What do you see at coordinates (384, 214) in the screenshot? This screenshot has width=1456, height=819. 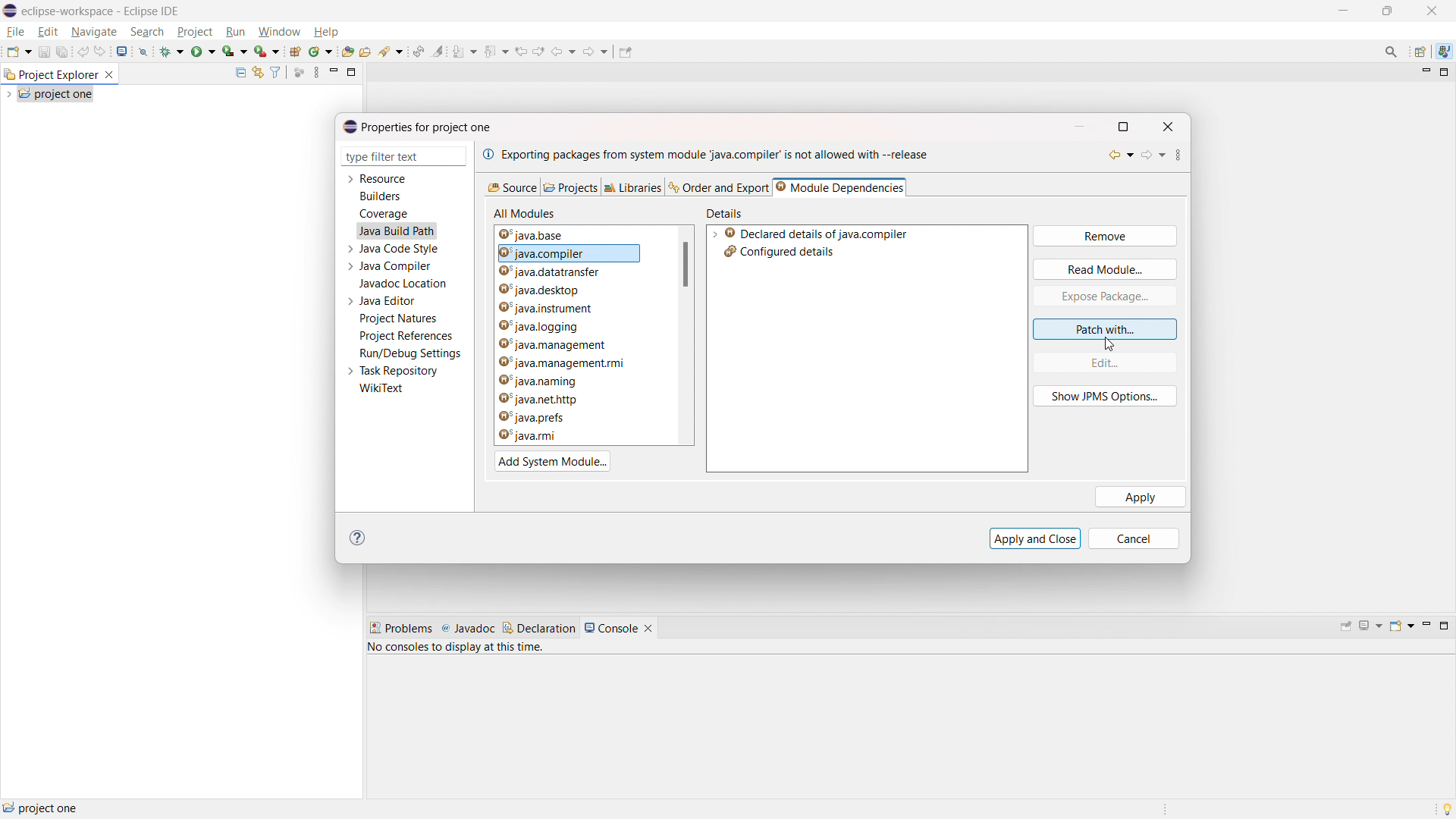 I see `coverage` at bounding box center [384, 214].